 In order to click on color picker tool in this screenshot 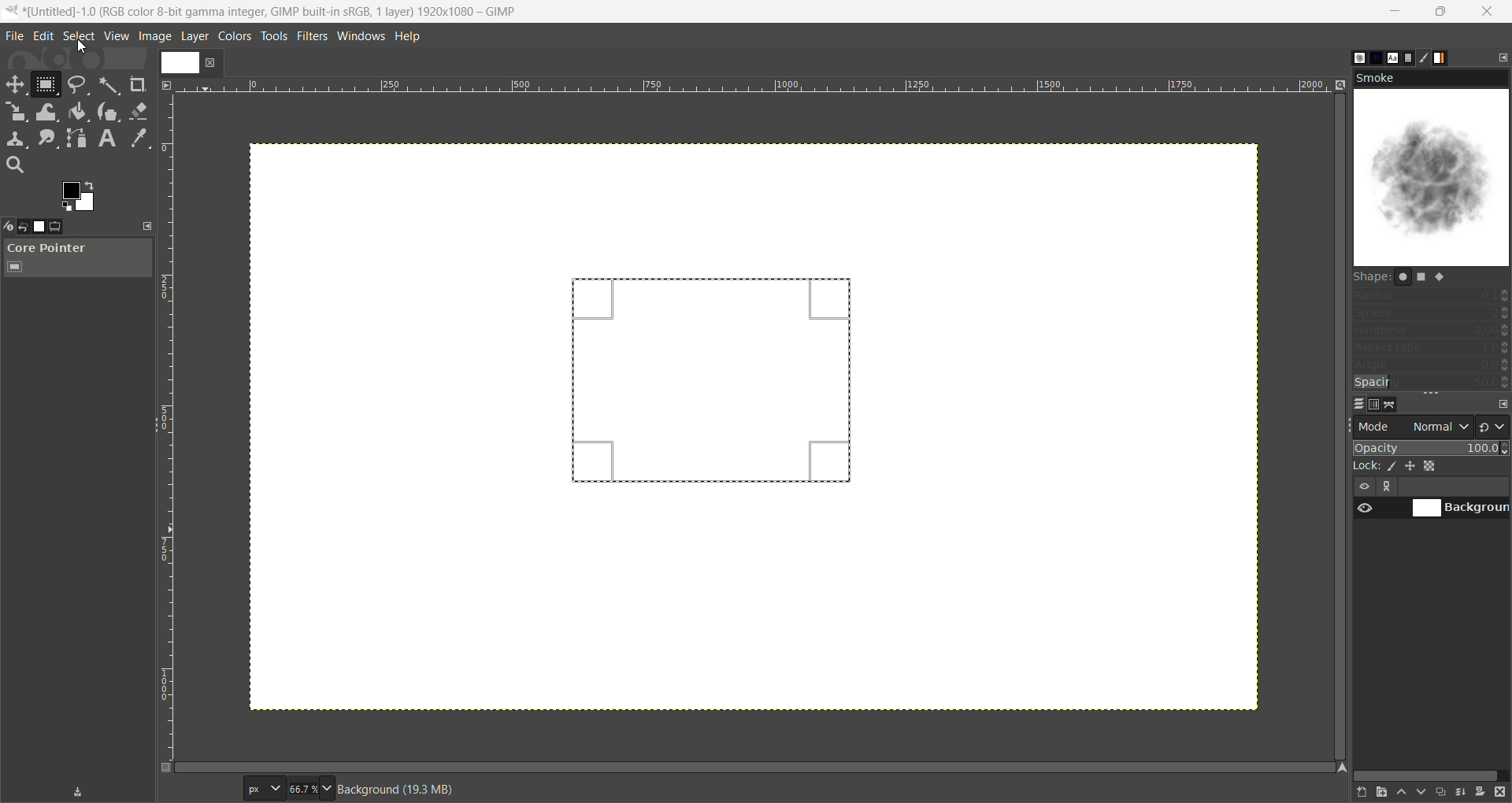, I will do `click(139, 139)`.